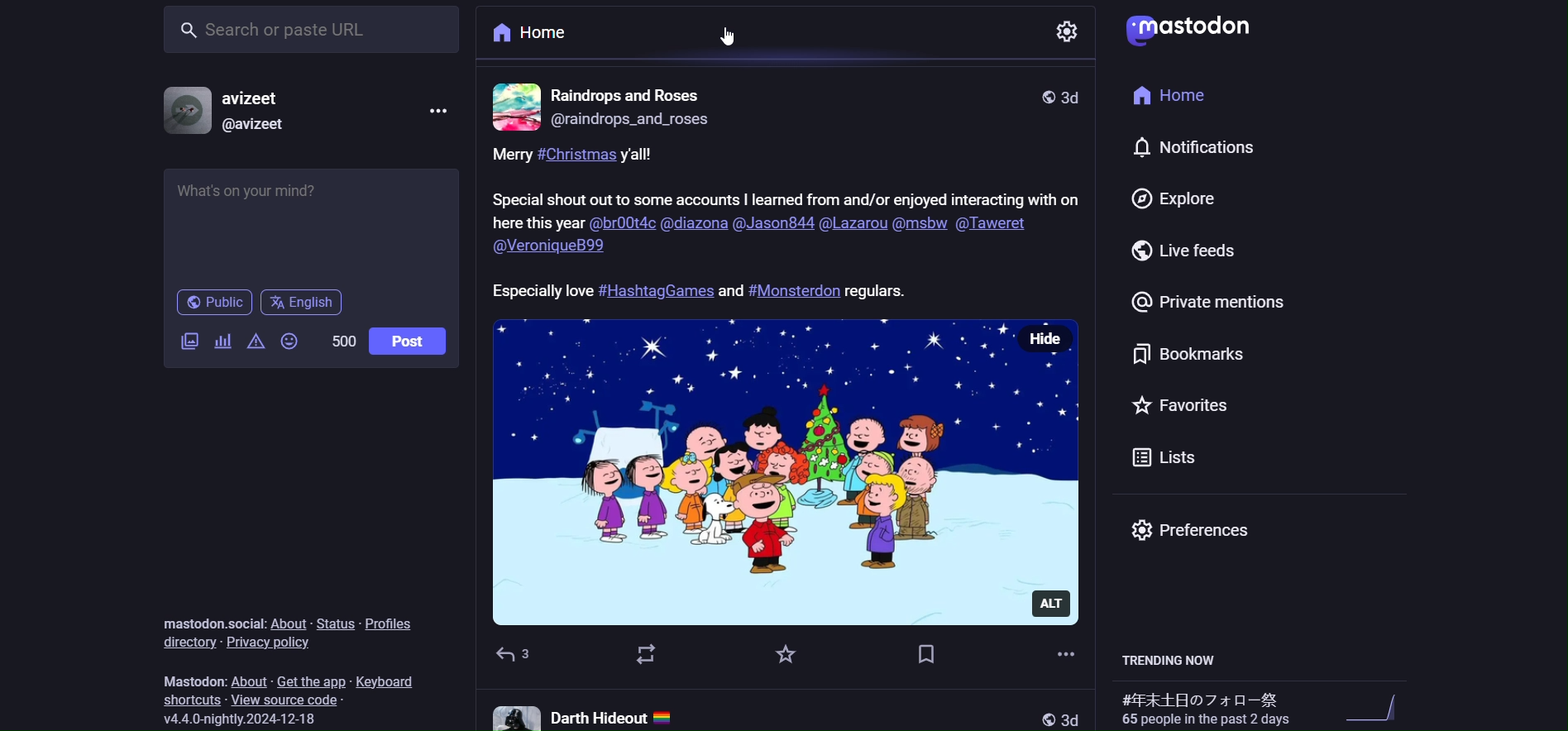 This screenshot has width=1568, height=731. Describe the element at coordinates (443, 112) in the screenshot. I see `more` at that location.